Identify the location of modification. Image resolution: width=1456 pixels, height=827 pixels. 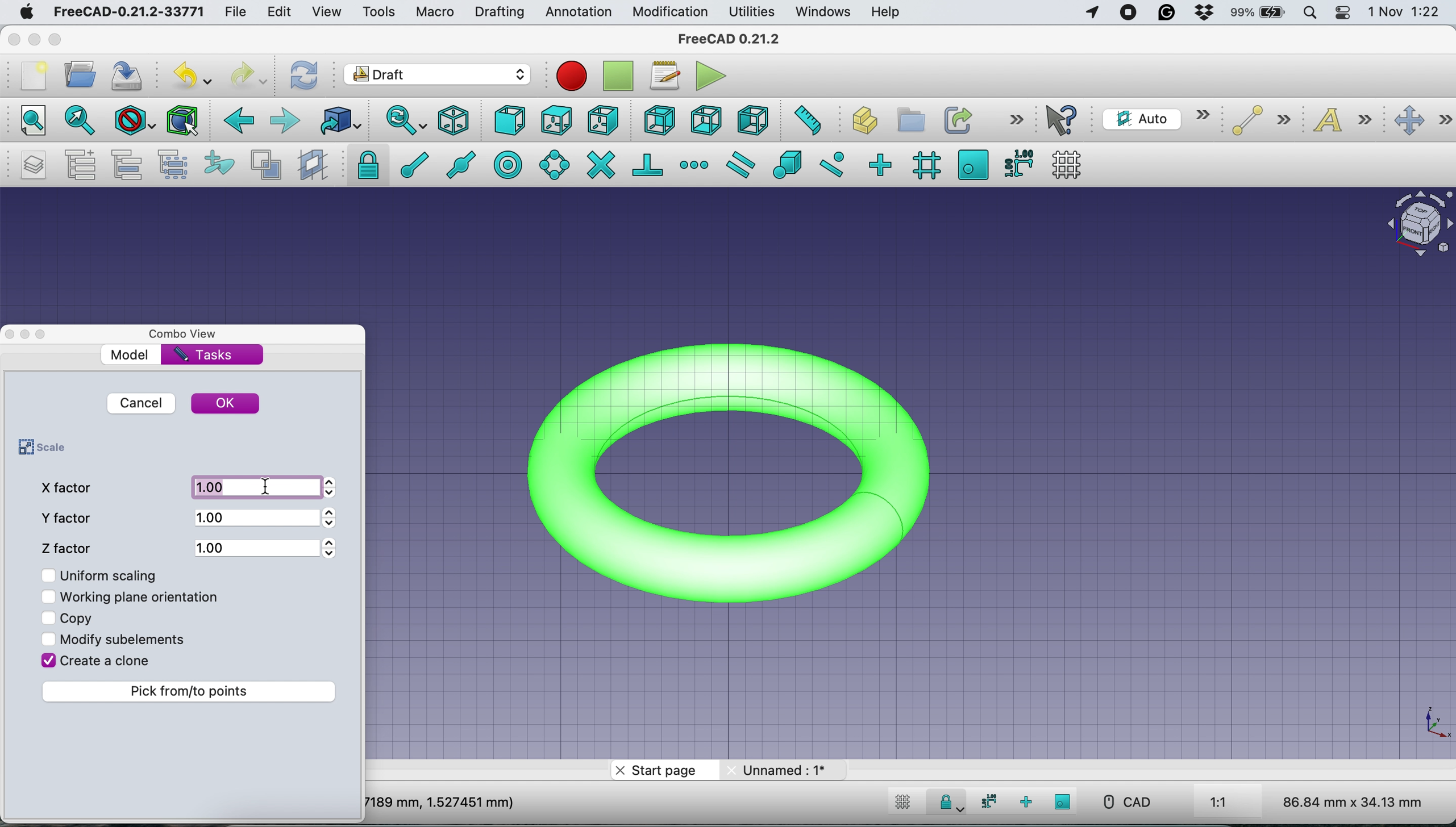
(671, 13).